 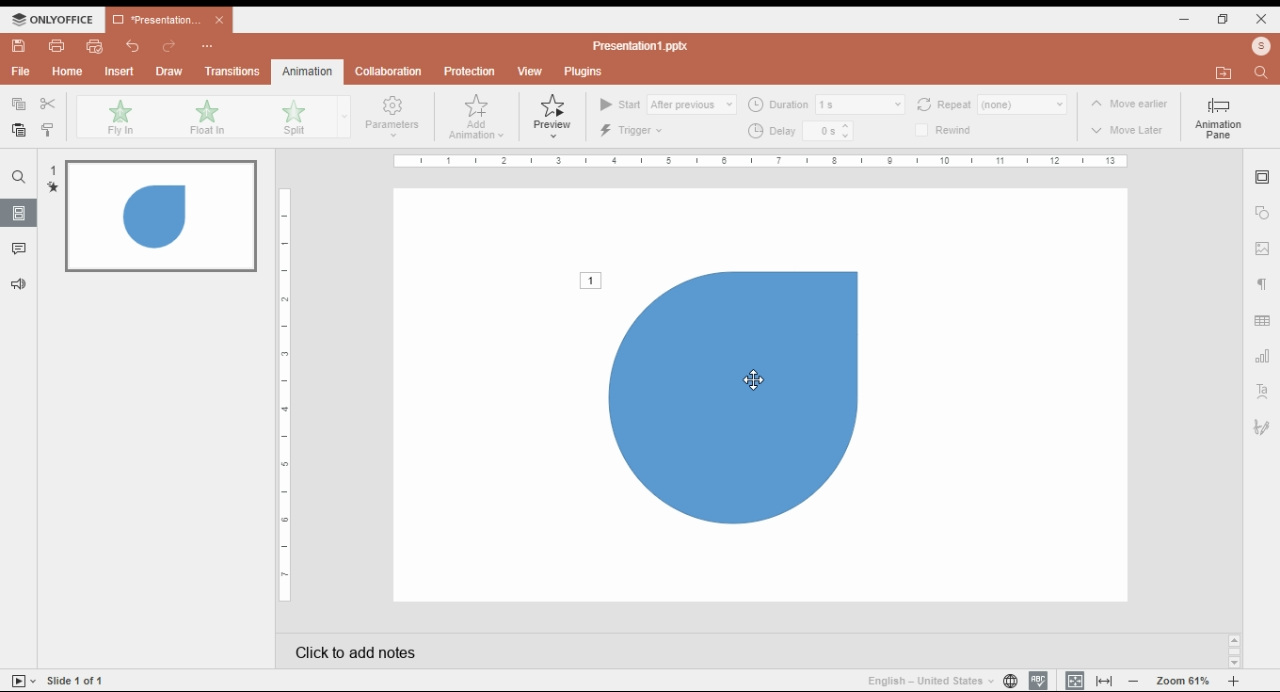 What do you see at coordinates (167, 20) in the screenshot?
I see `presentation ` at bounding box center [167, 20].